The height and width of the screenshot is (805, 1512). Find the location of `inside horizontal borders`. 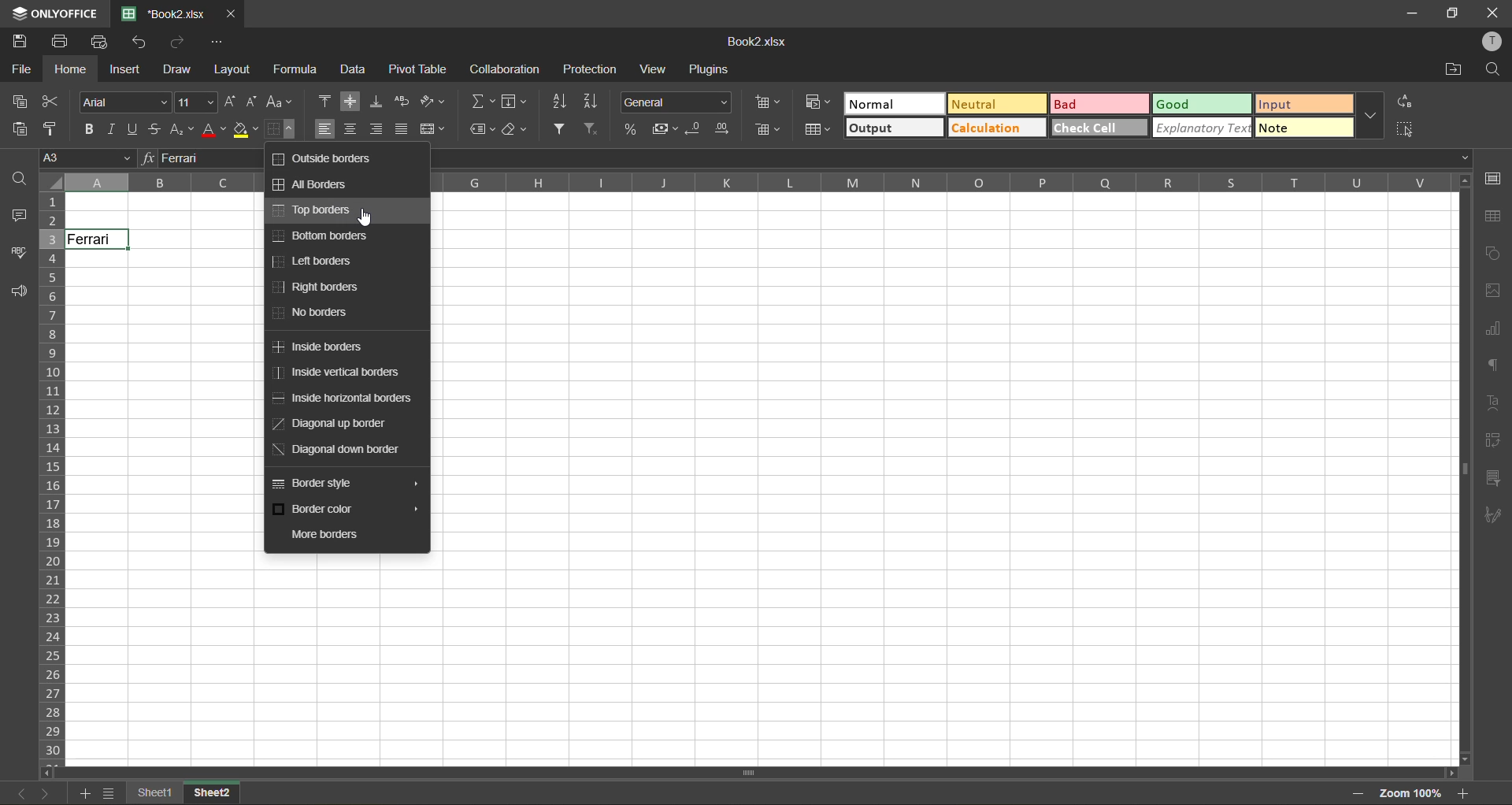

inside horizontal borders is located at coordinates (343, 399).